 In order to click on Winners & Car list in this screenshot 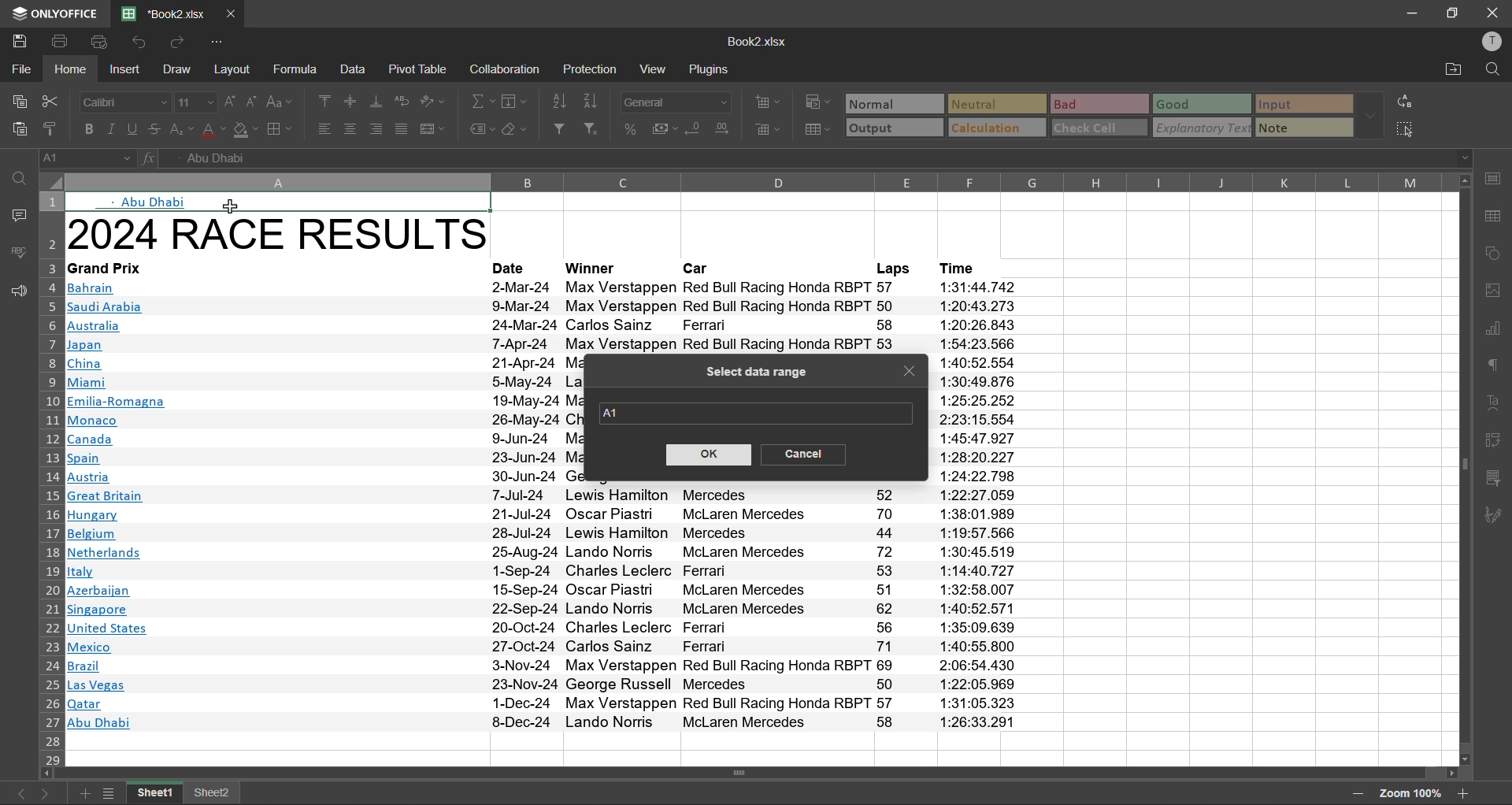, I will do `click(739, 606)`.